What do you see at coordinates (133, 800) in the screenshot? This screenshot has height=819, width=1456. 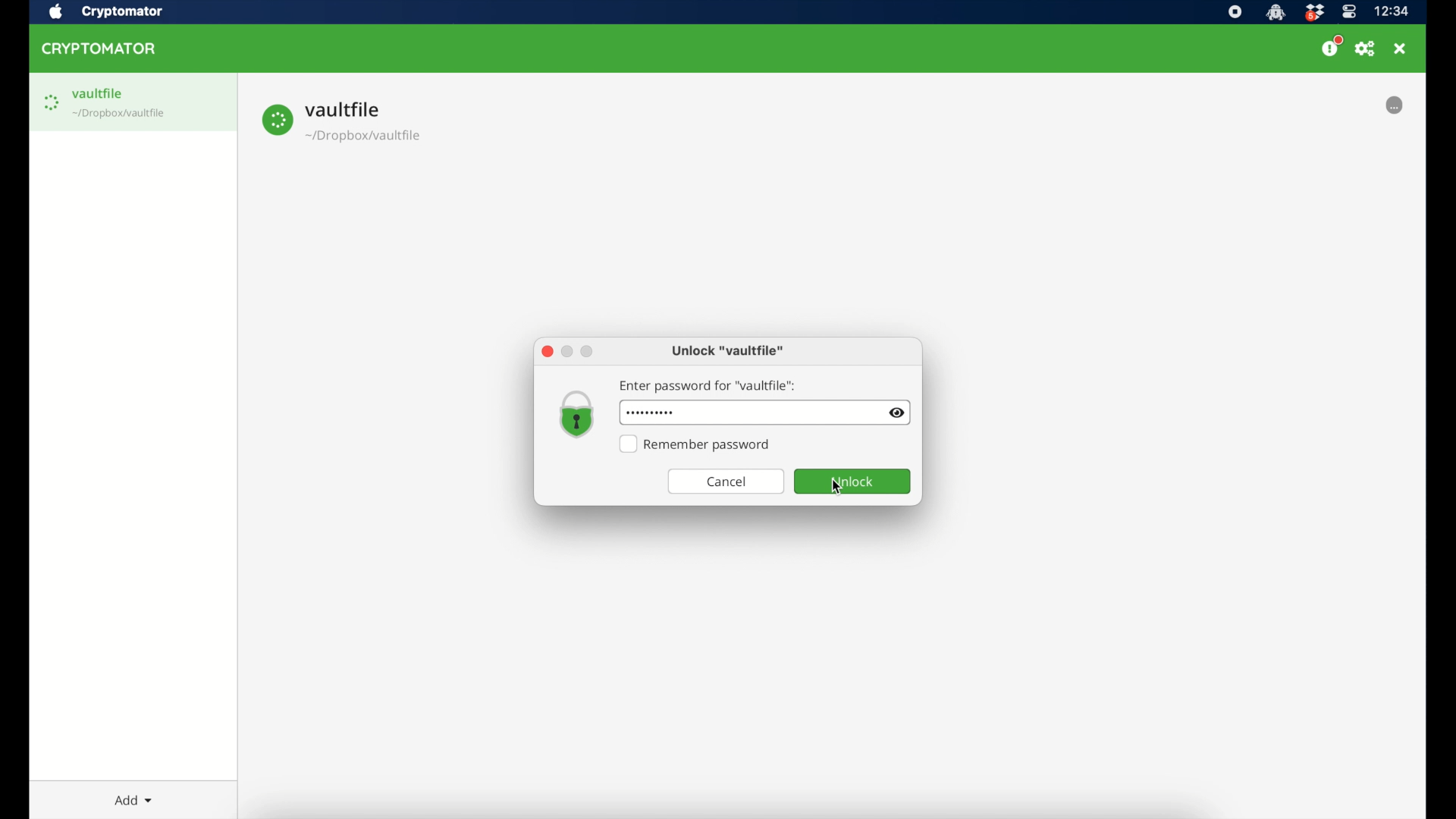 I see `add` at bounding box center [133, 800].